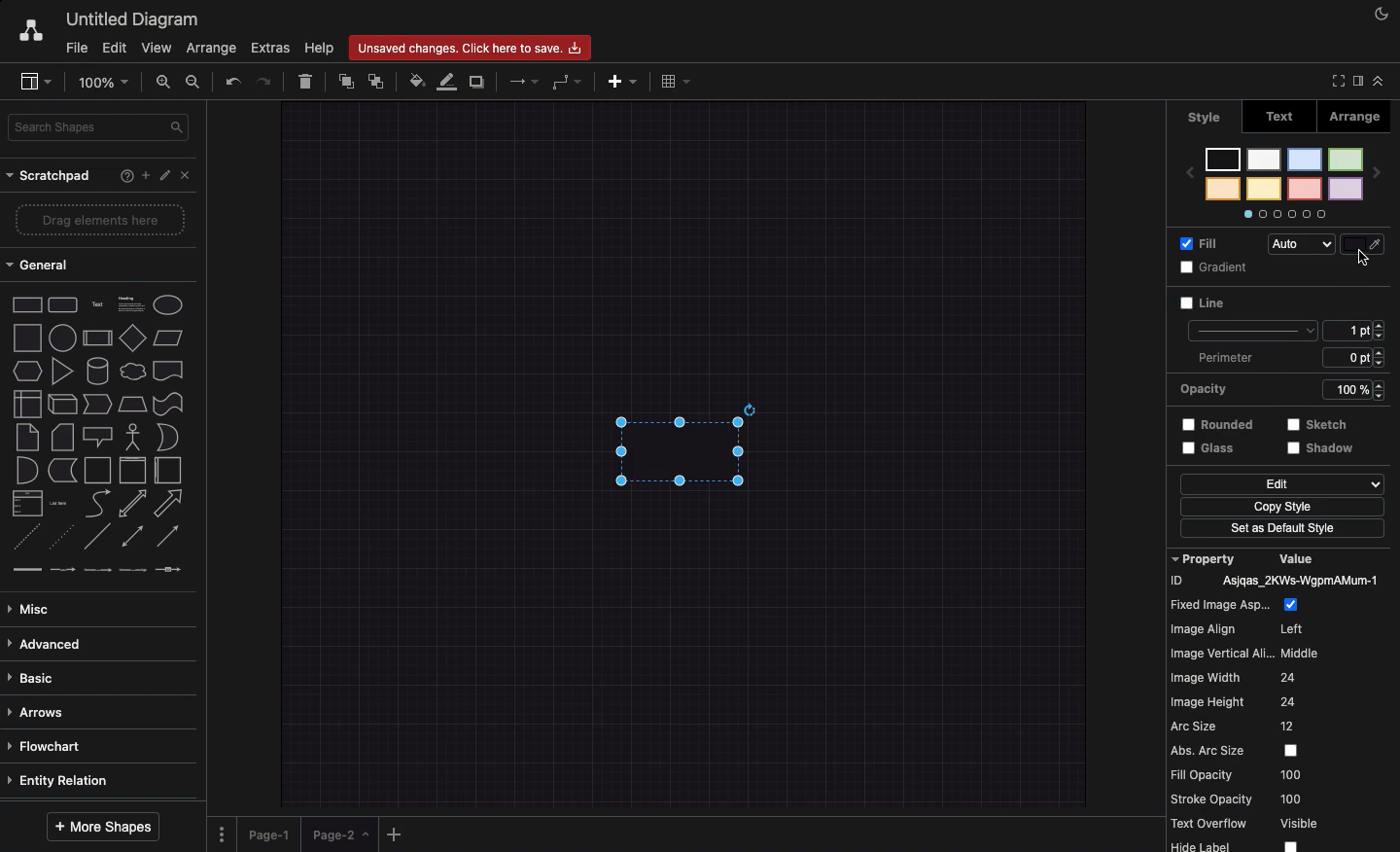 Image resolution: width=1400 pixels, height=852 pixels. What do you see at coordinates (419, 79) in the screenshot?
I see `Fill color` at bounding box center [419, 79].